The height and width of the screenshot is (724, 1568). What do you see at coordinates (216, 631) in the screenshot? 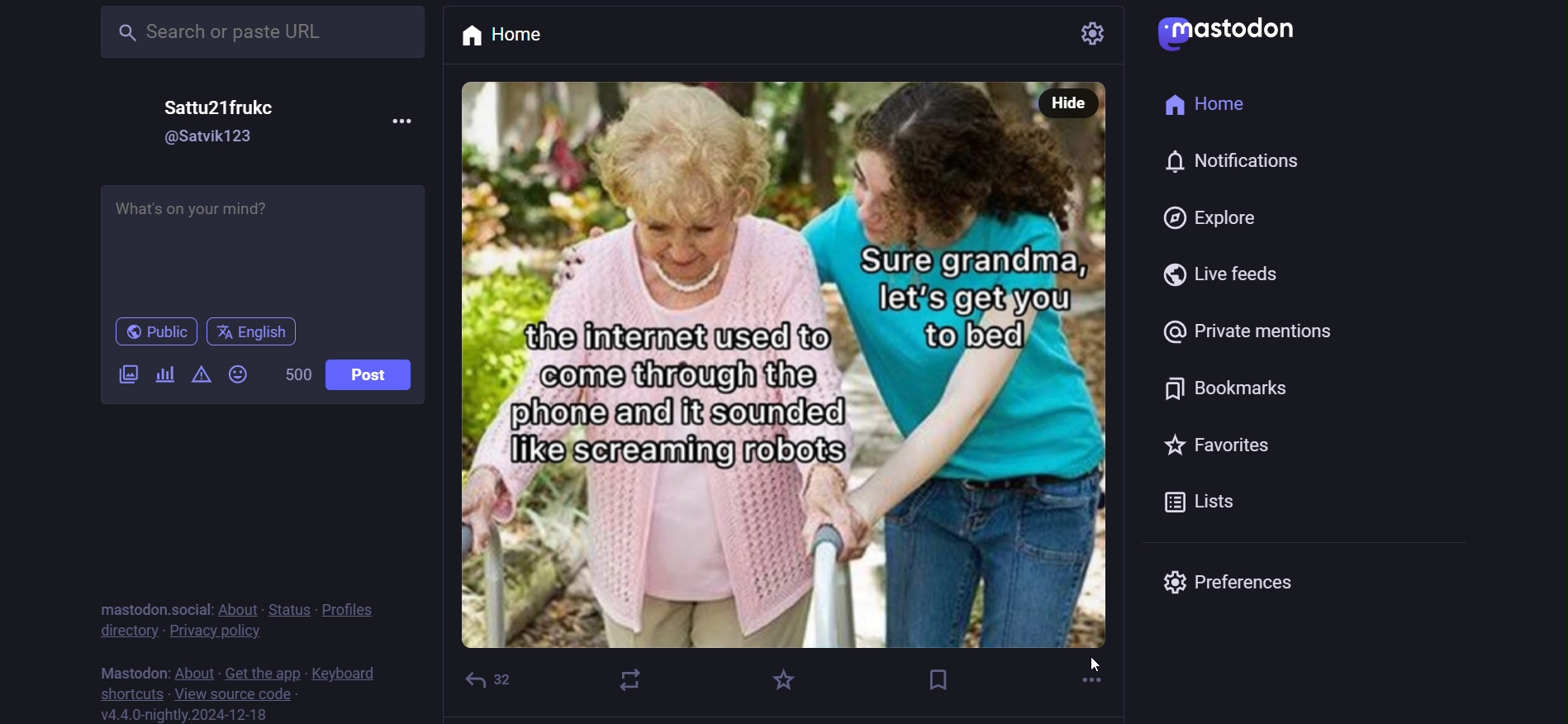
I see `privacy policy` at bounding box center [216, 631].